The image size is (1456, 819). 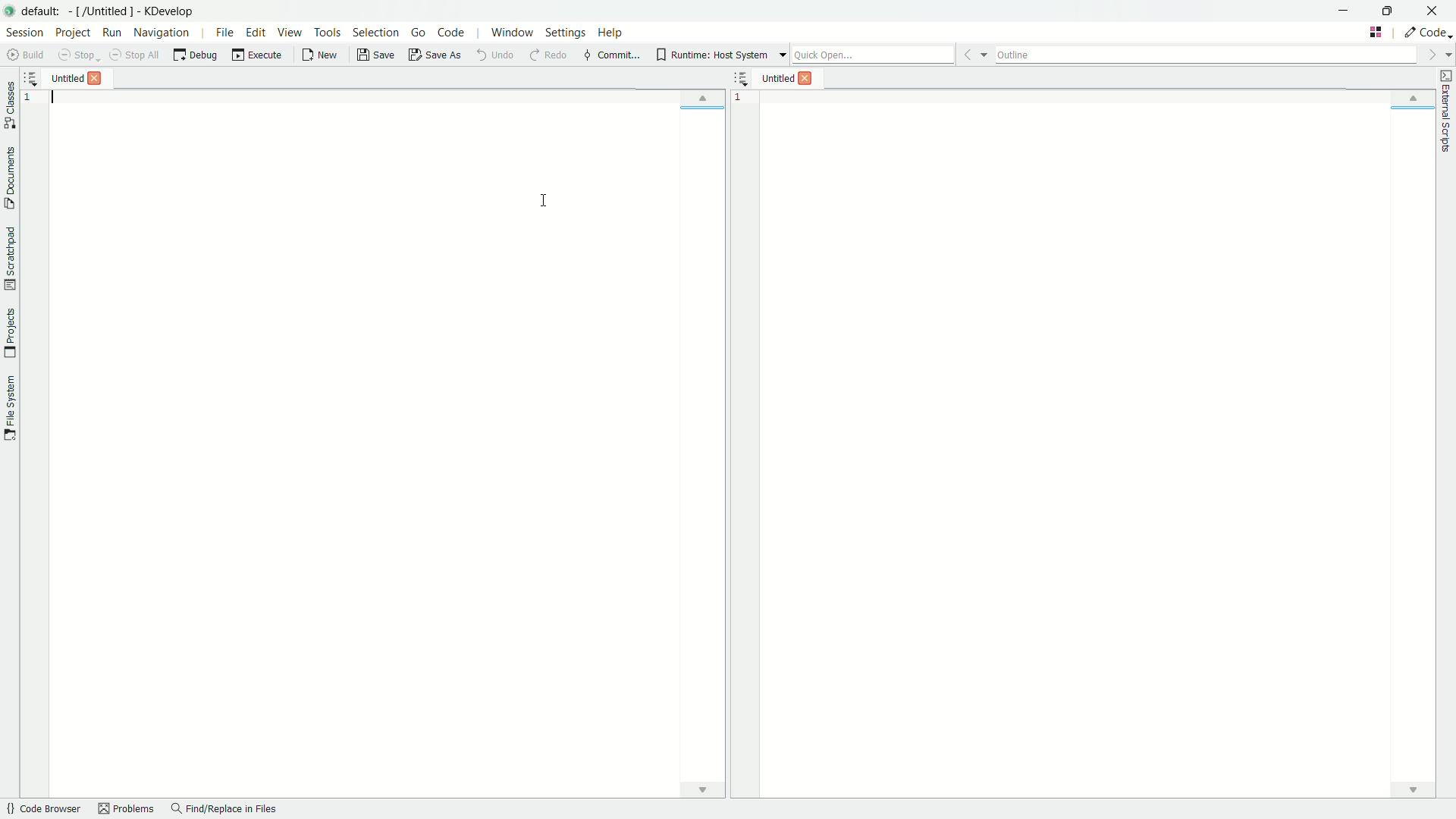 I want to click on up, so click(x=702, y=99).